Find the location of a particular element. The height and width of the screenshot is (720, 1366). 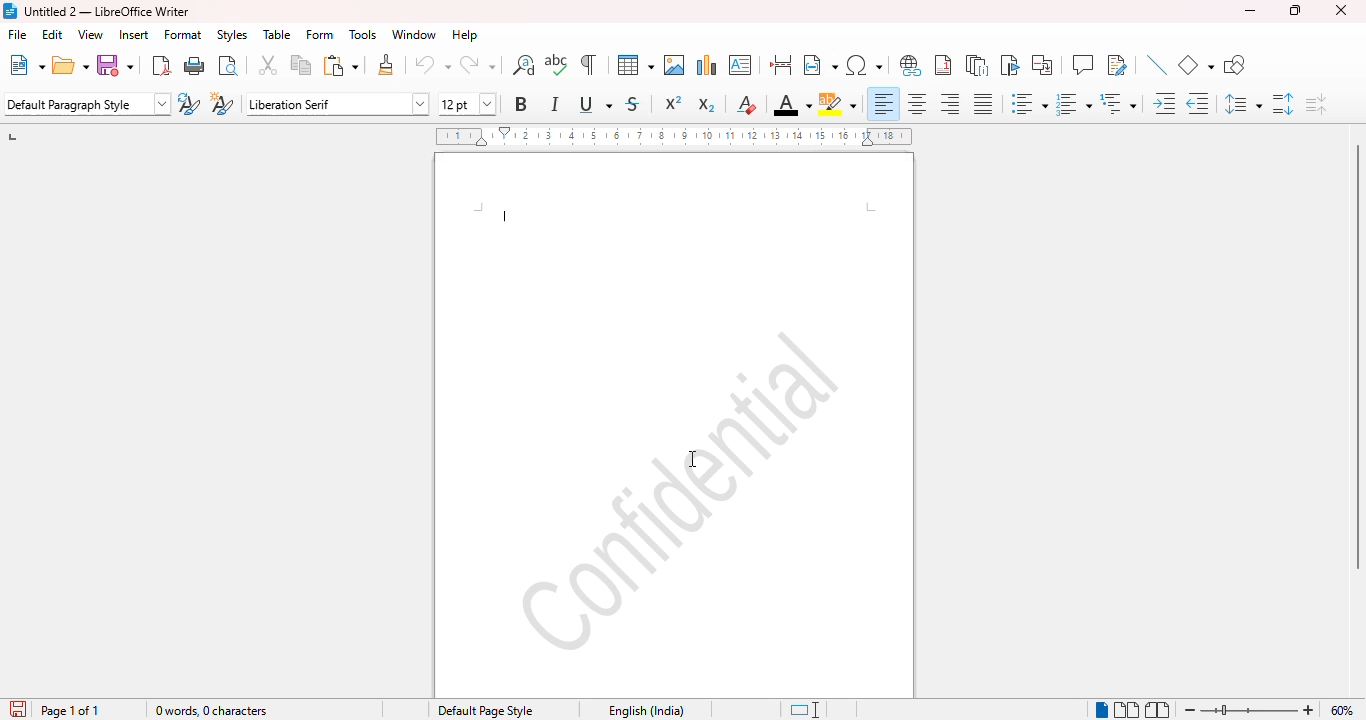

edit is located at coordinates (52, 34).